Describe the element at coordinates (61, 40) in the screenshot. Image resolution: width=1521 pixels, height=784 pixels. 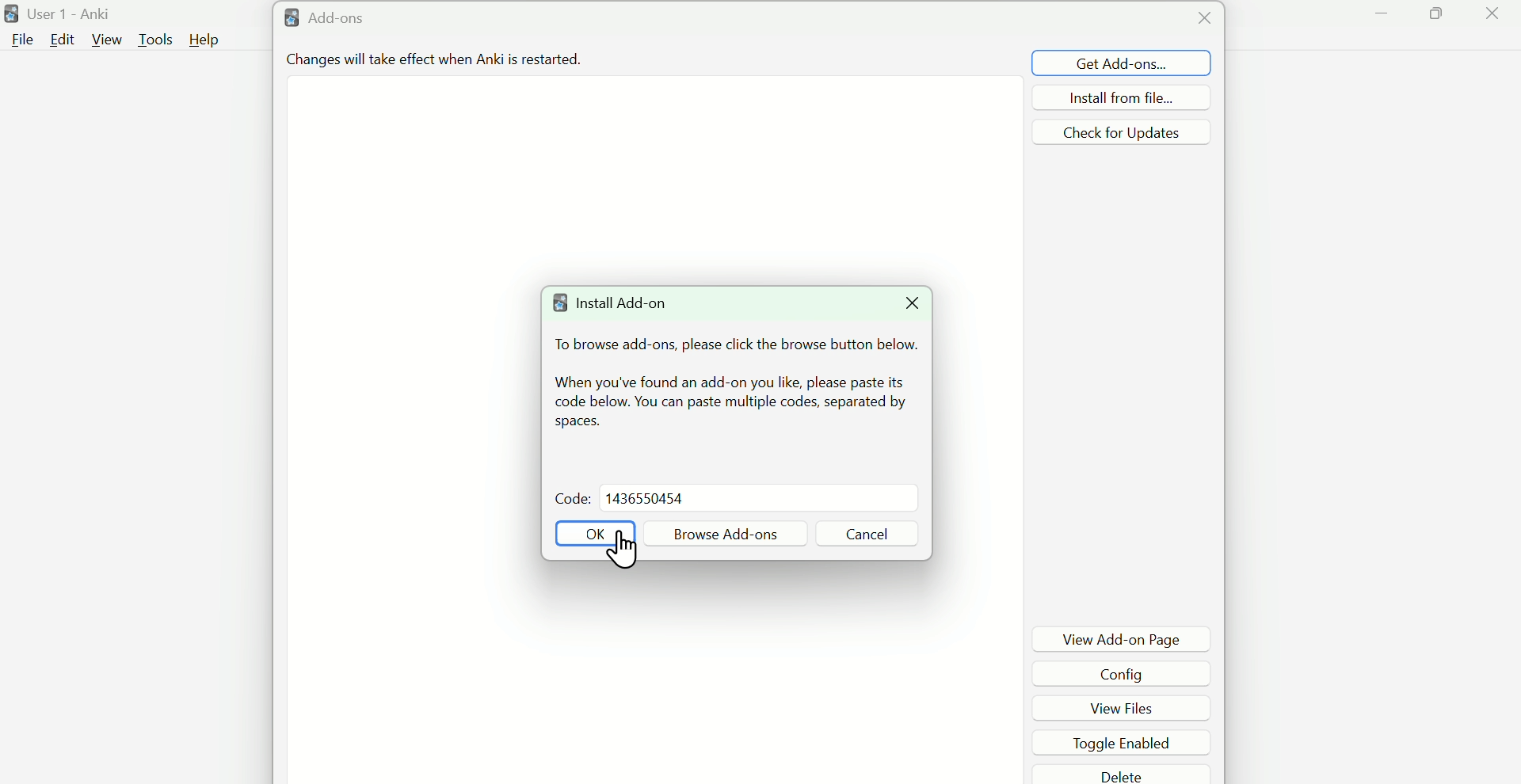
I see `Edit` at that location.